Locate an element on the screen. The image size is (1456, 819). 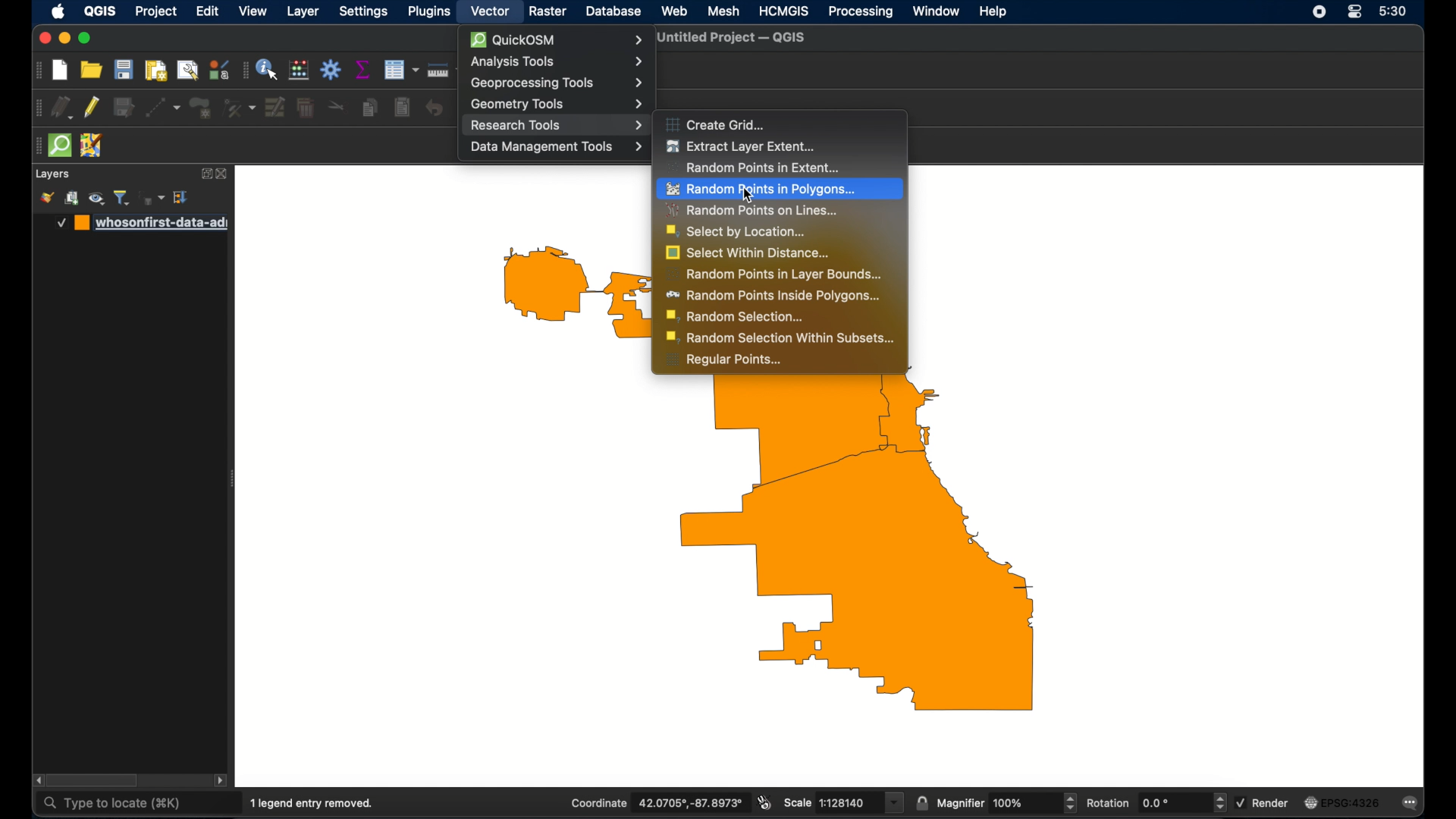
expand all is located at coordinates (182, 197).